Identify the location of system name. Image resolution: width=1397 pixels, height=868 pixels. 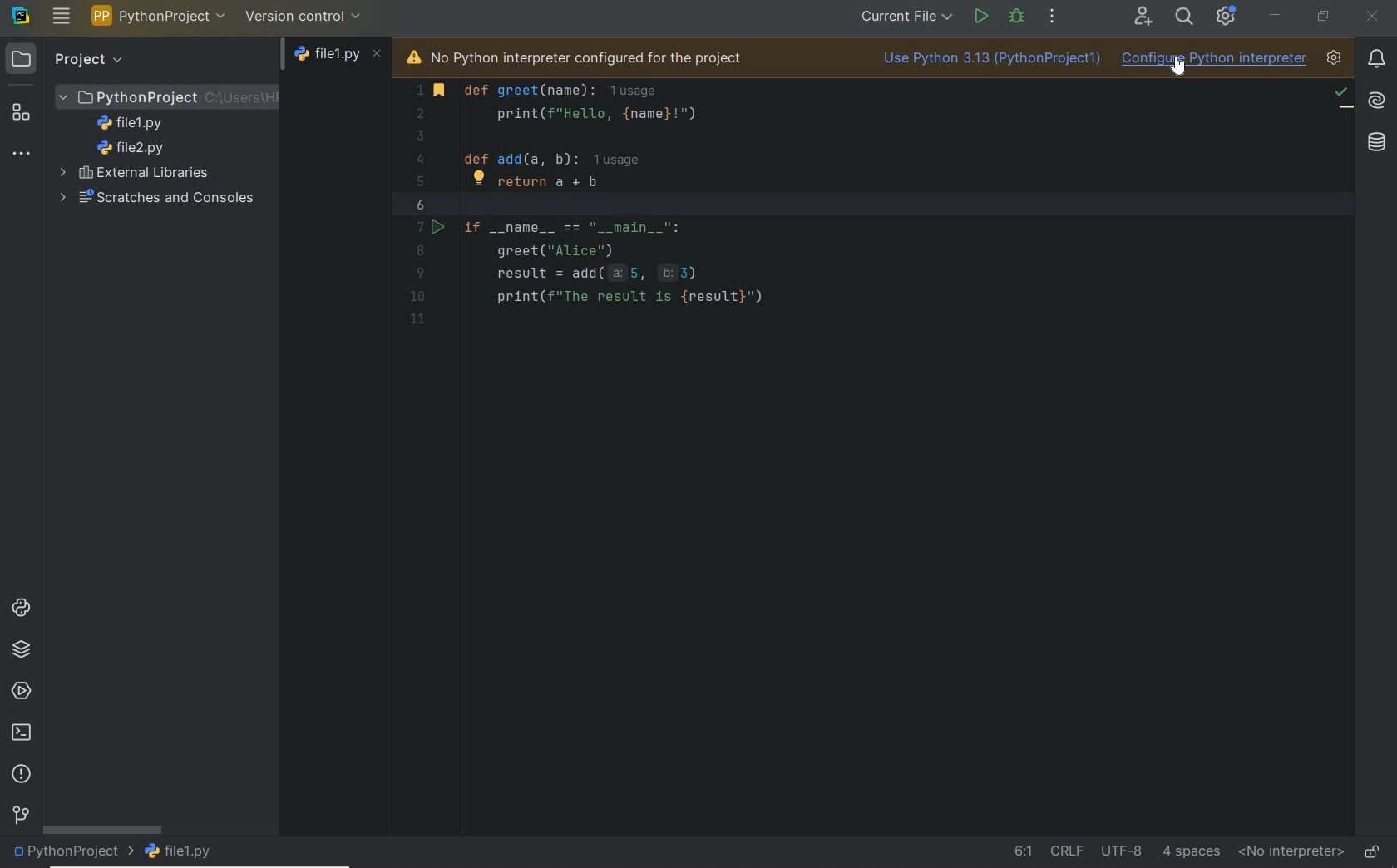
(21, 16).